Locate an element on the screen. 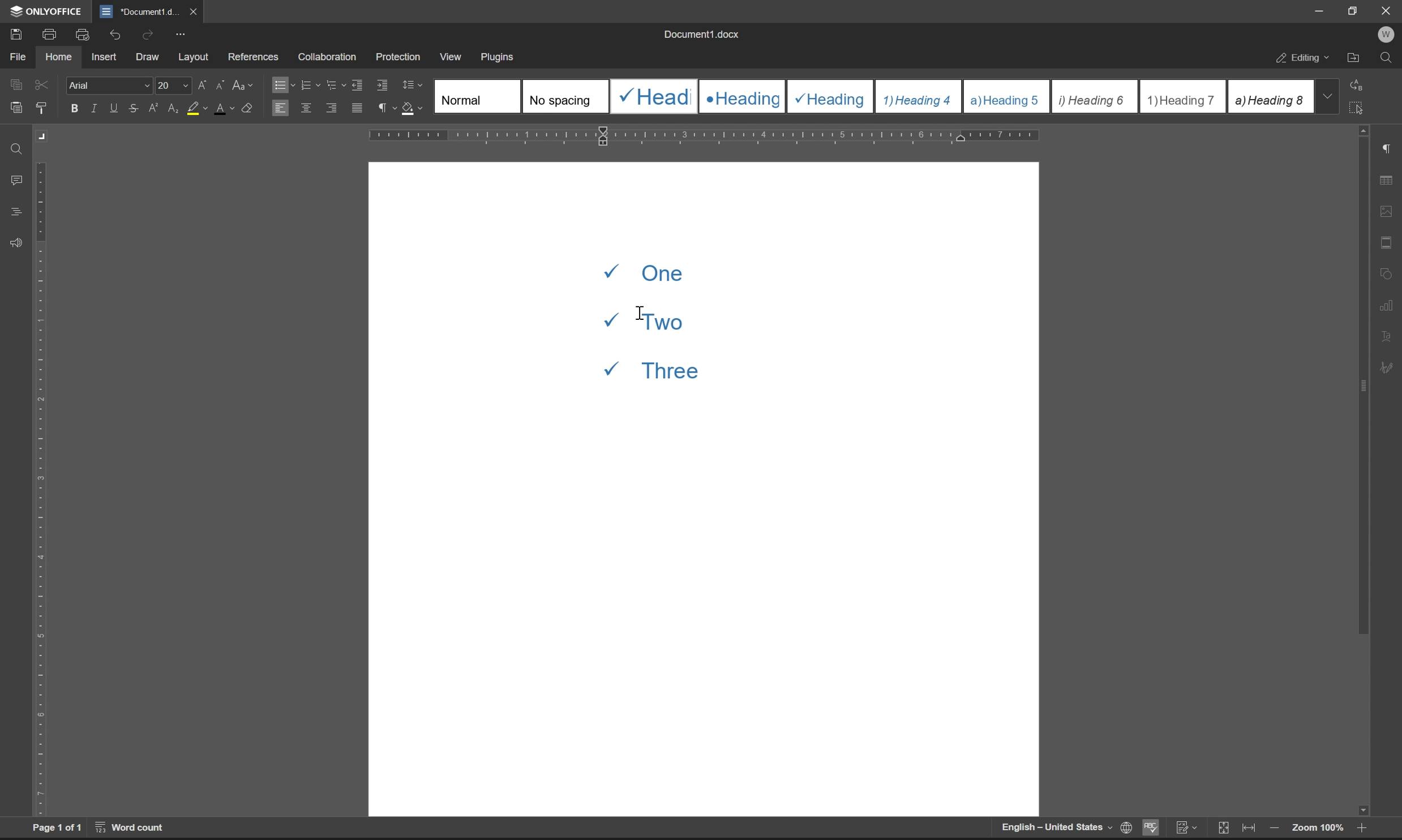 Image resolution: width=1402 pixels, height=840 pixels. Heading 3 is located at coordinates (831, 97).